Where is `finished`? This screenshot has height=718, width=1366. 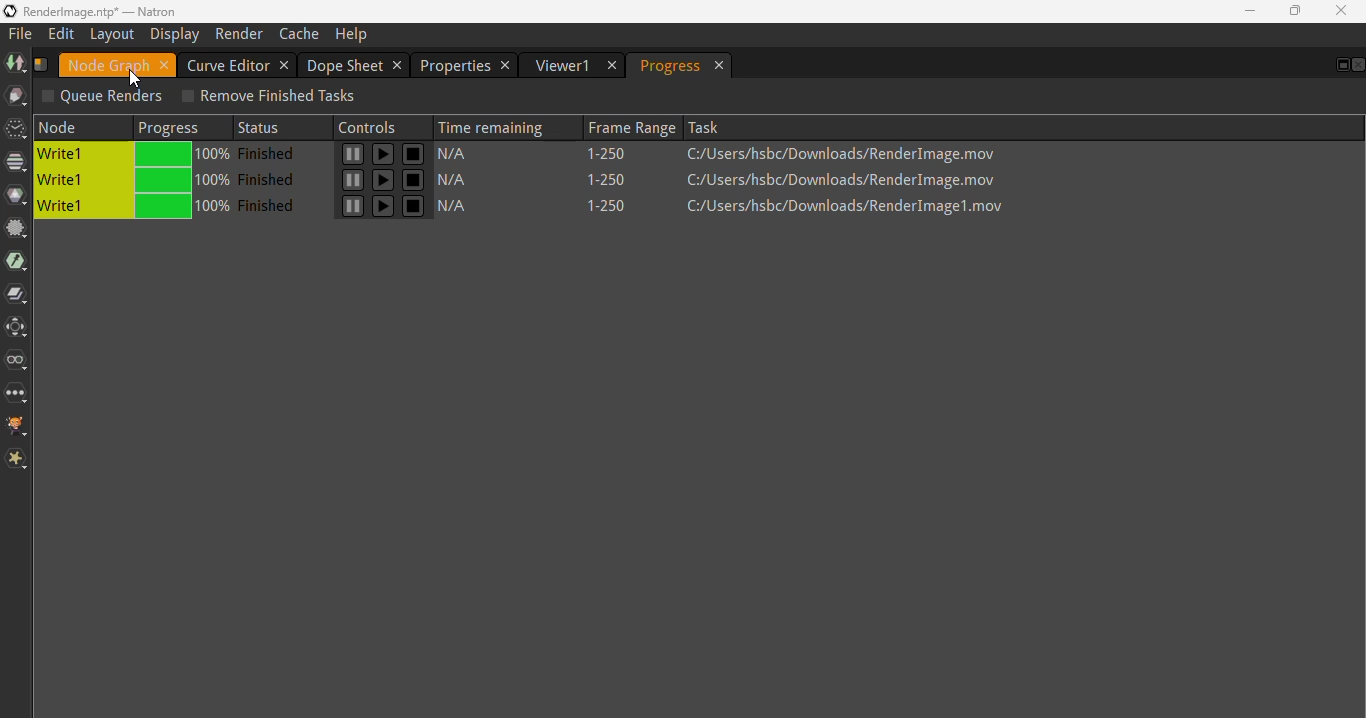 finished is located at coordinates (271, 154).